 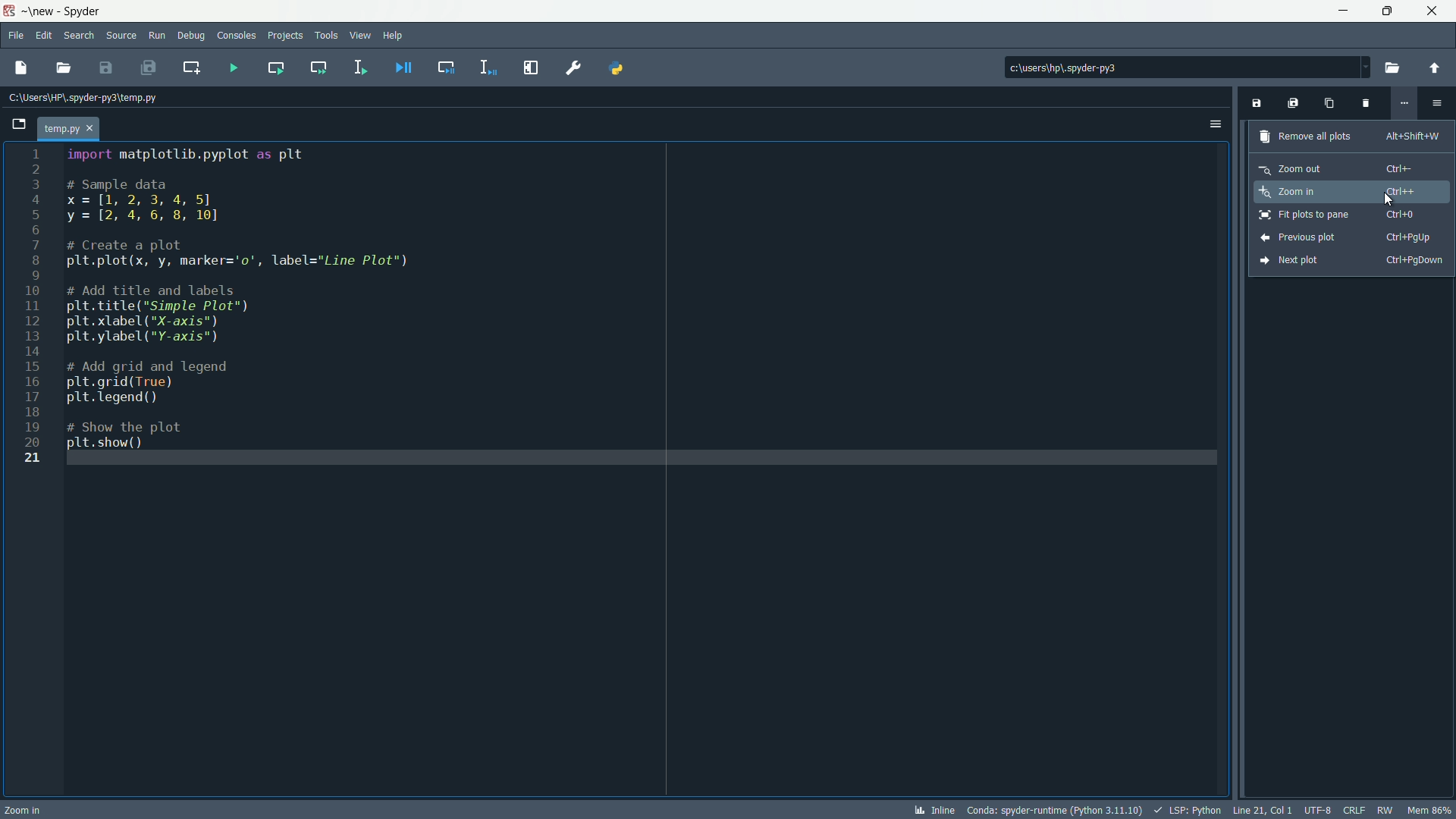 I want to click on debug menu, so click(x=191, y=35).